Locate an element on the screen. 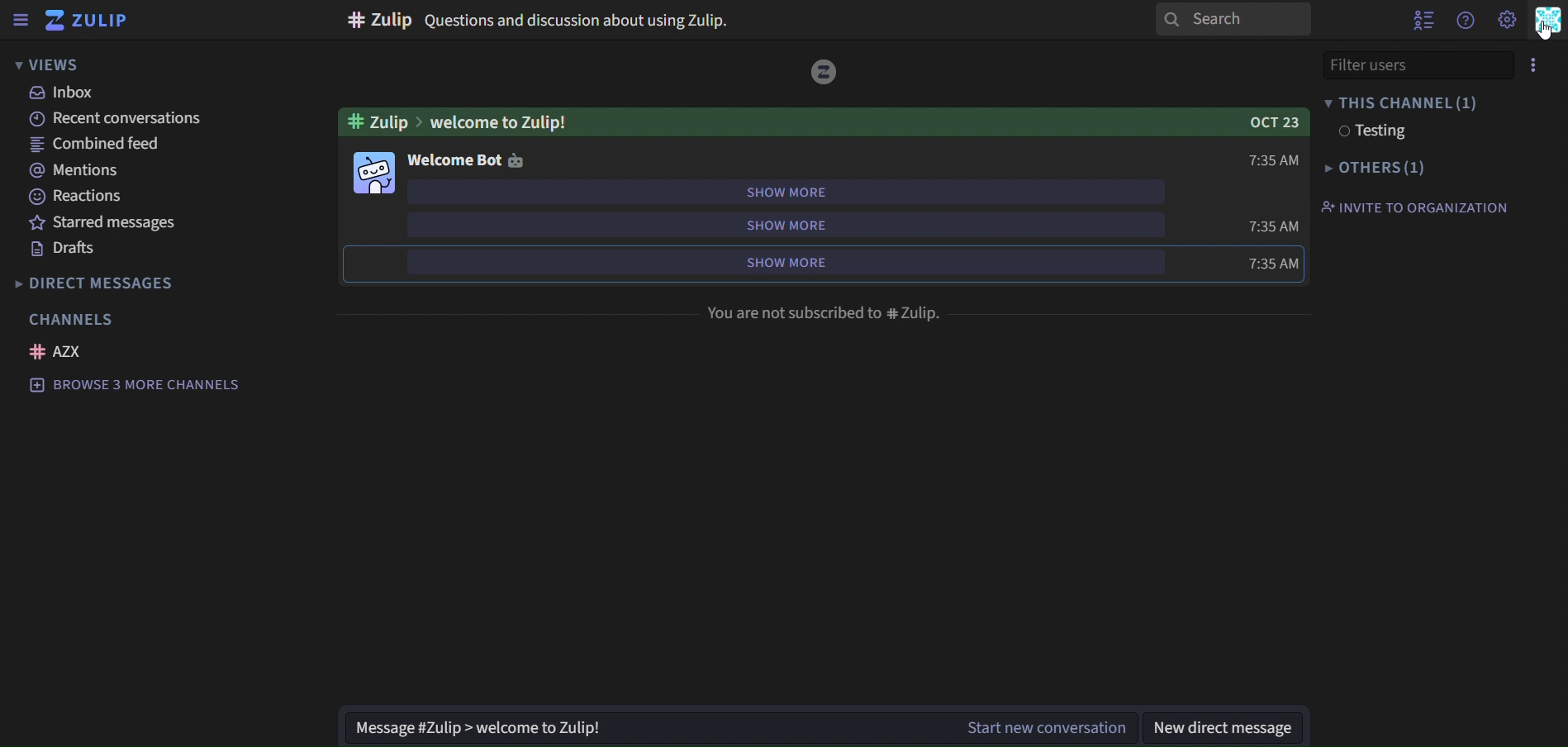 The image size is (1568, 747). channels is located at coordinates (79, 321).